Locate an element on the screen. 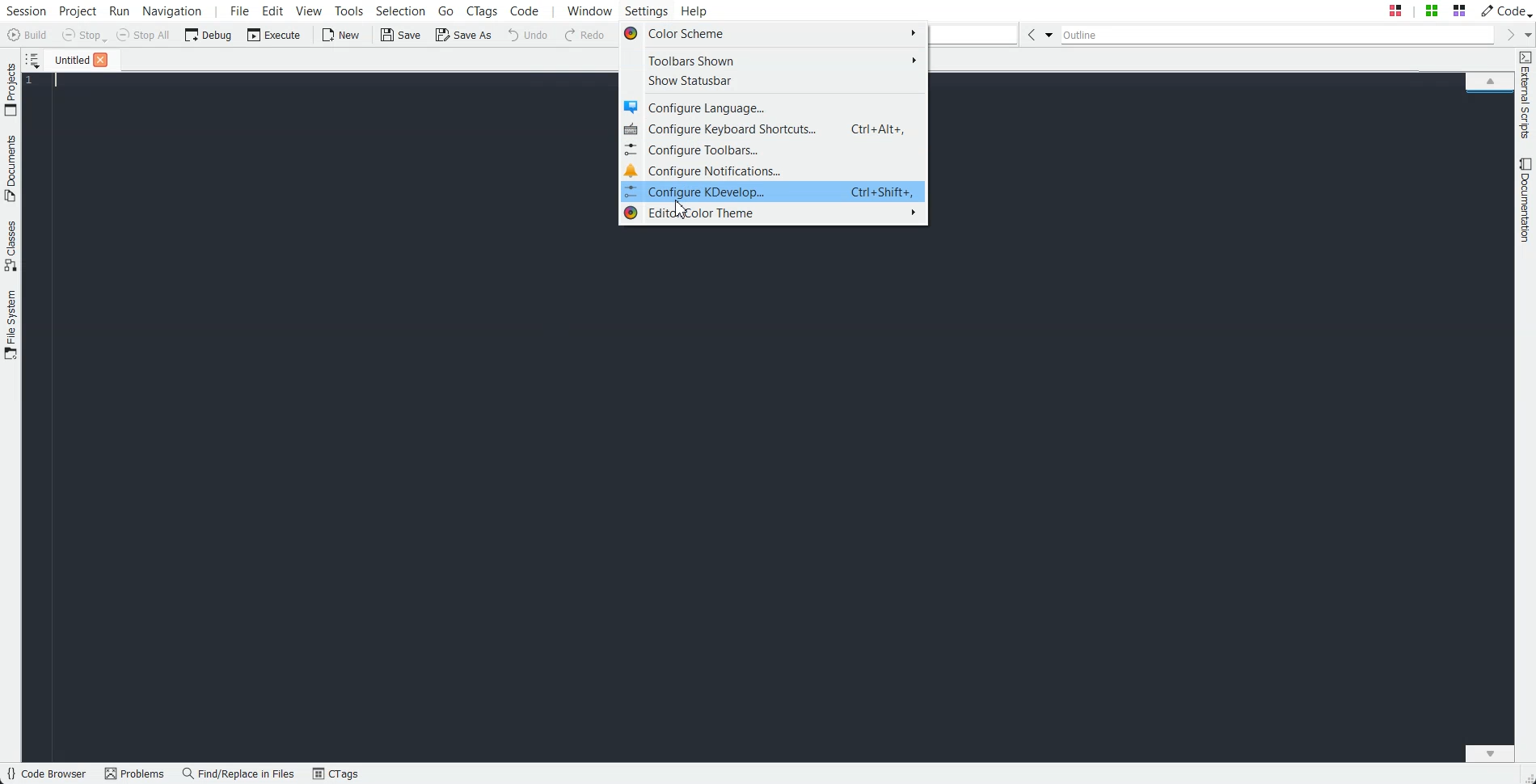 This screenshot has width=1536, height=784. Tools is located at coordinates (350, 11).